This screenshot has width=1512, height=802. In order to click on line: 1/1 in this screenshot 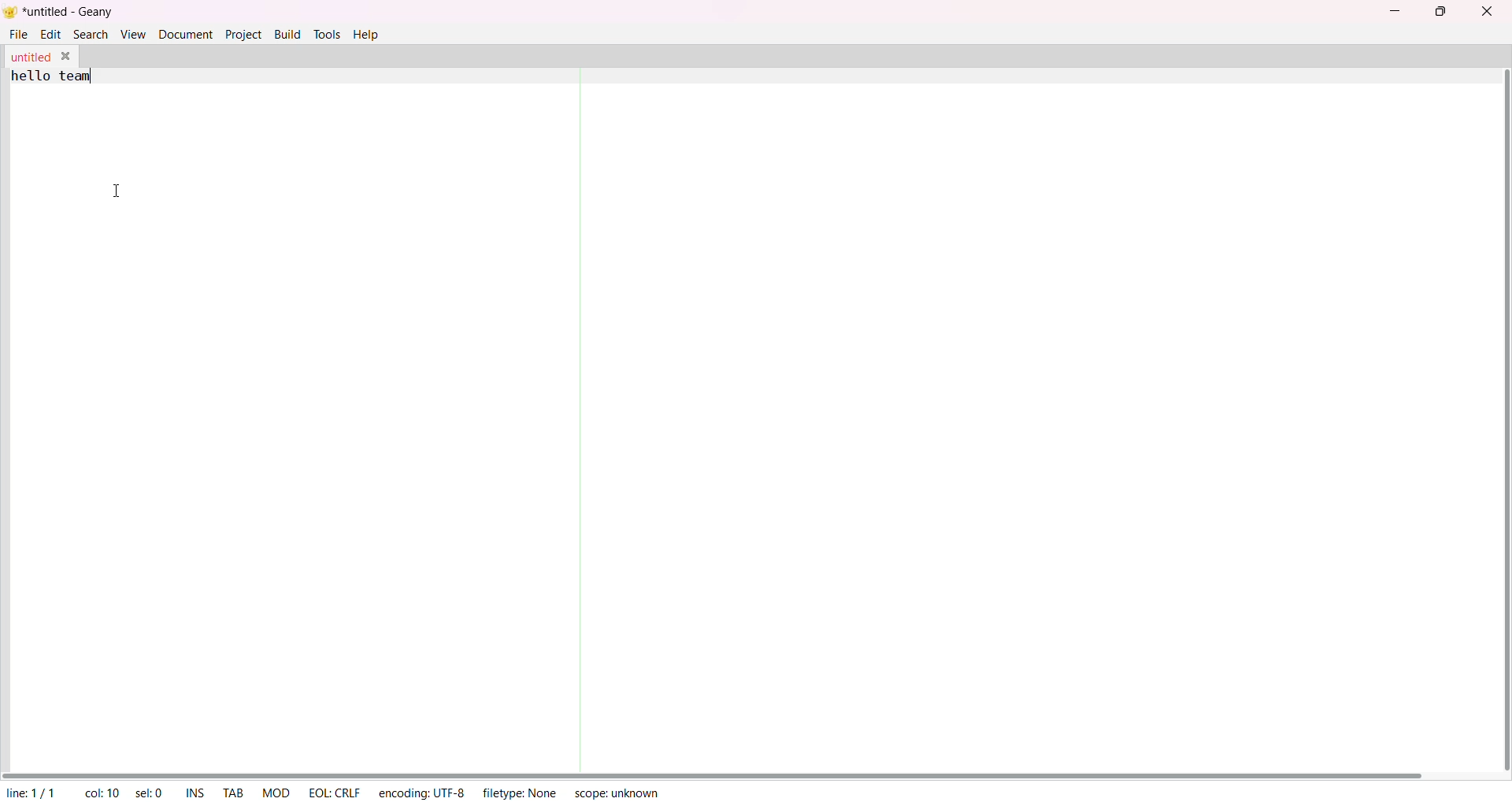, I will do `click(30, 793)`.